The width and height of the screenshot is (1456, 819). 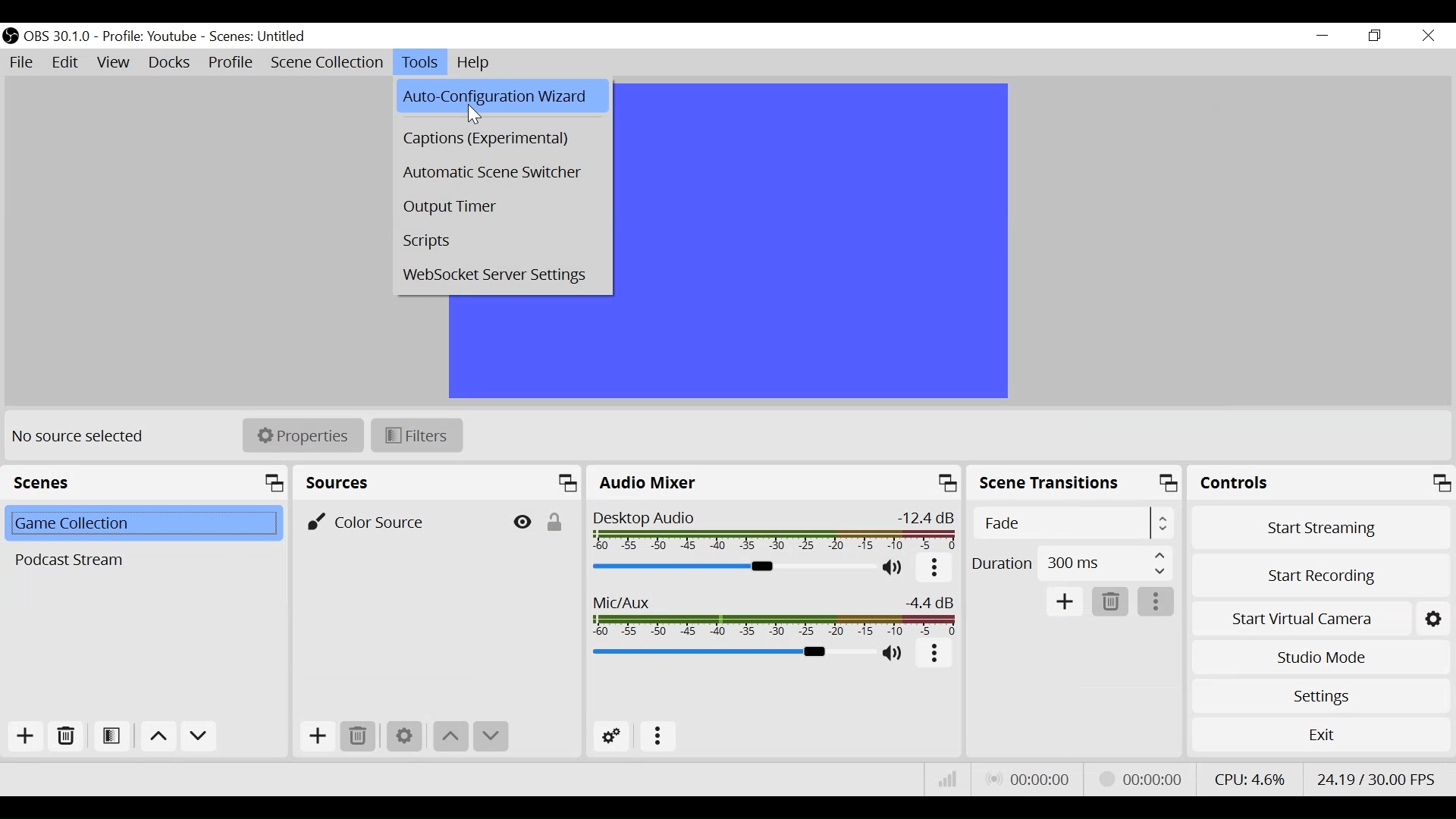 I want to click on Filters, so click(x=416, y=435).